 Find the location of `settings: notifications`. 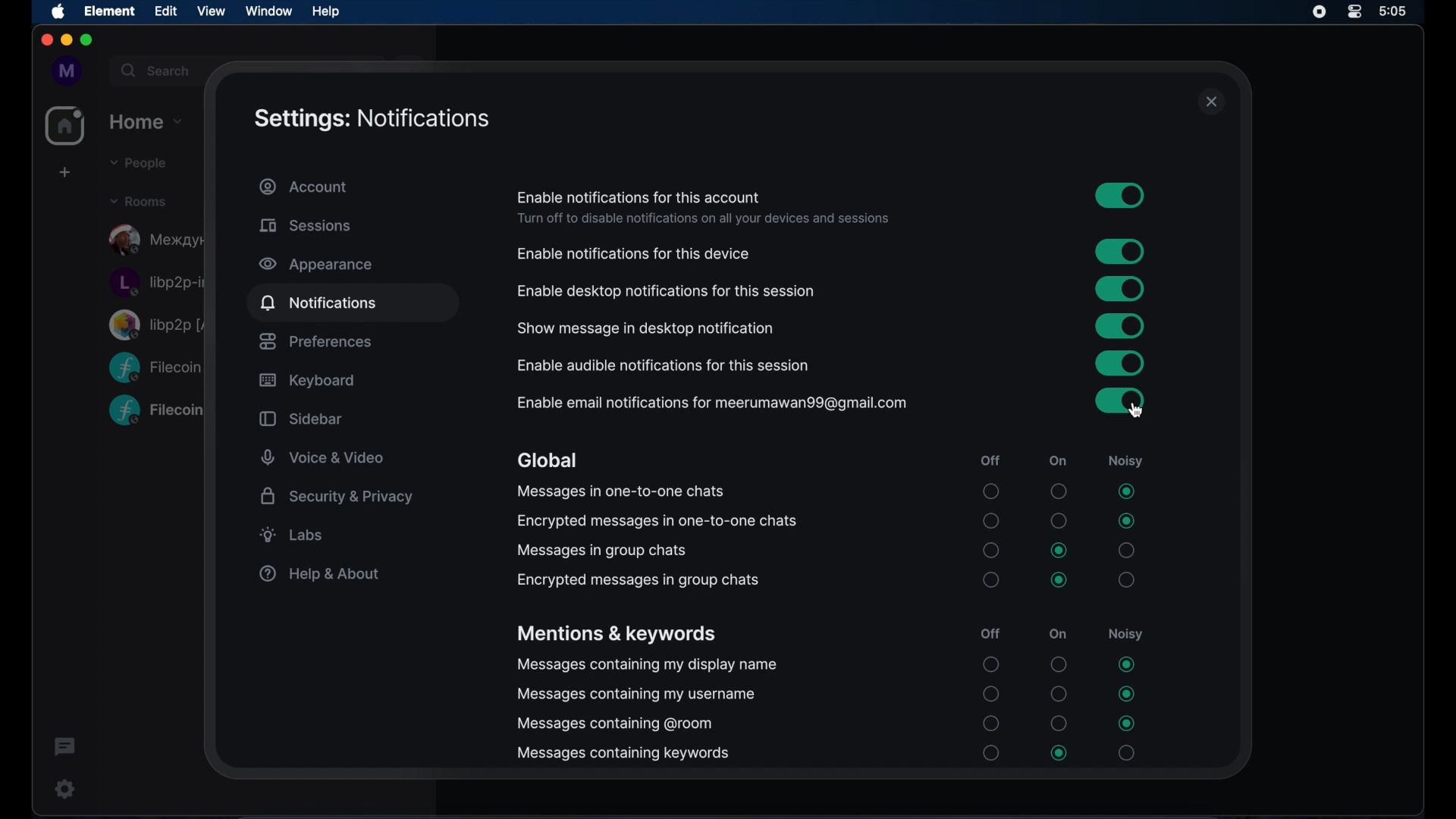

settings: notifications is located at coordinates (372, 119).